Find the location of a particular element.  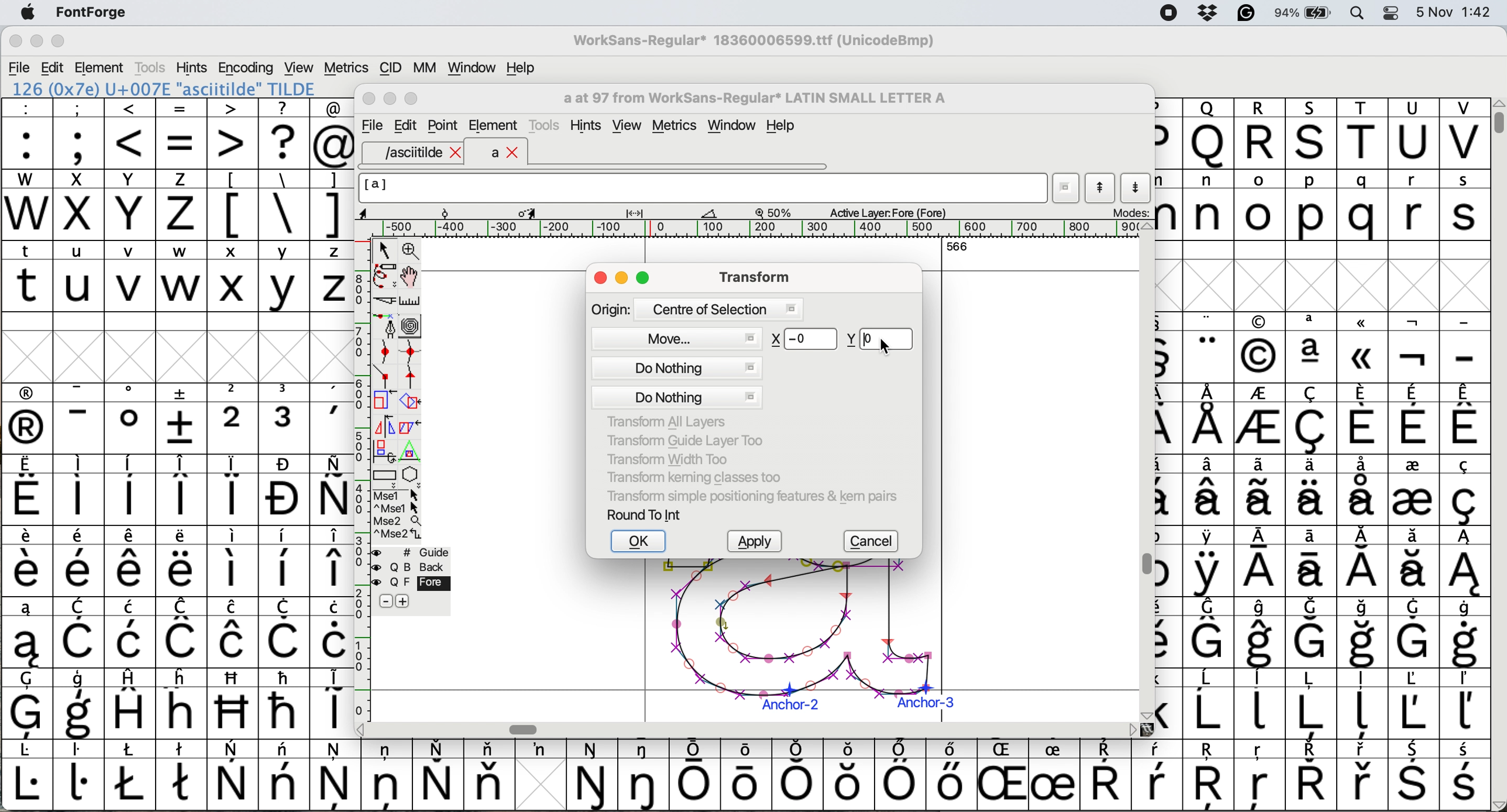

symbol is located at coordinates (1260, 563).